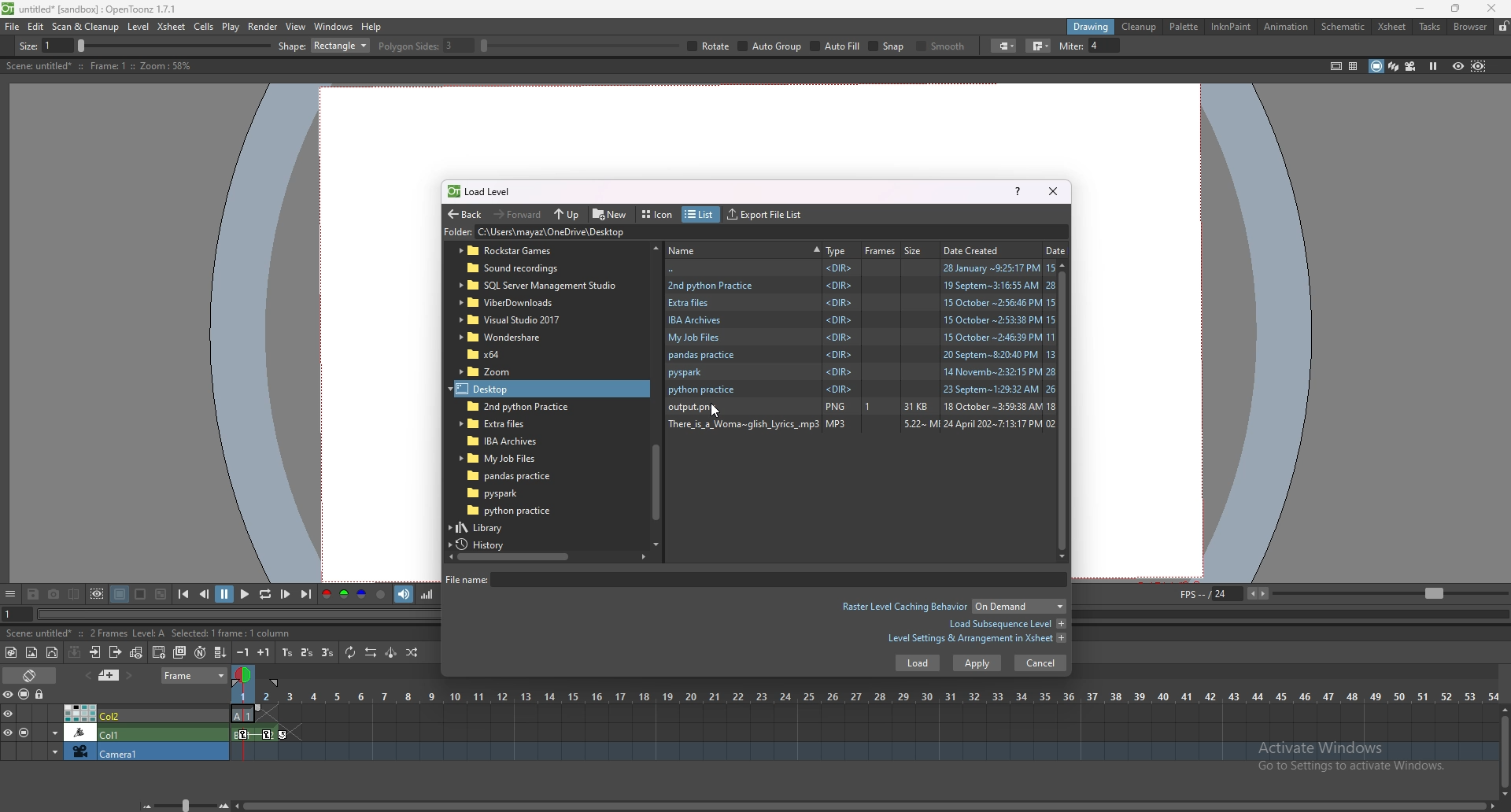 The width and height of the screenshot is (1511, 812). What do you see at coordinates (362, 595) in the screenshot?
I see `blue channel` at bounding box center [362, 595].